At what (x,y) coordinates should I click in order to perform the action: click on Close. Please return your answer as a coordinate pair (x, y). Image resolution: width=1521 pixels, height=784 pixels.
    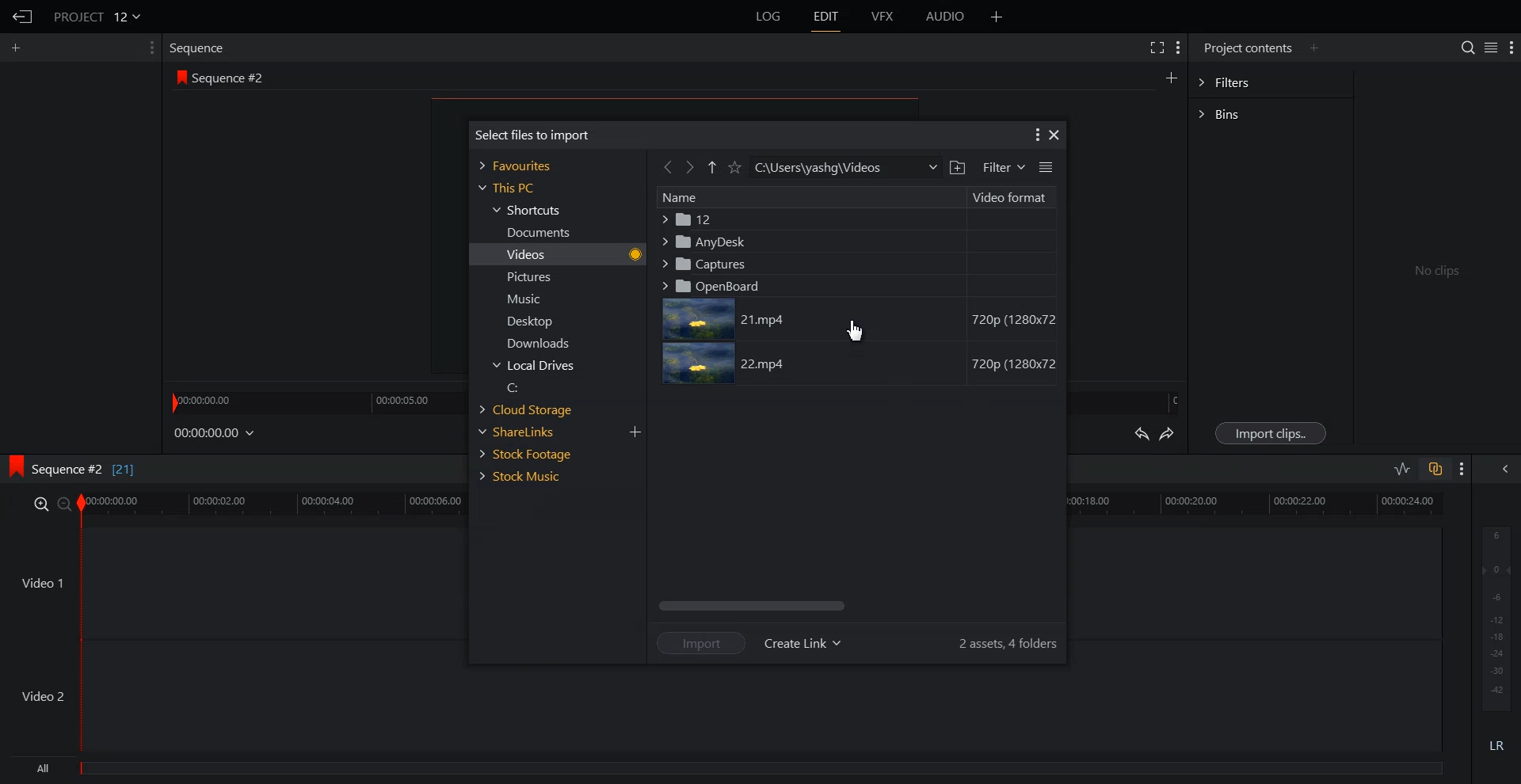
    Looking at the image, I should click on (1054, 136).